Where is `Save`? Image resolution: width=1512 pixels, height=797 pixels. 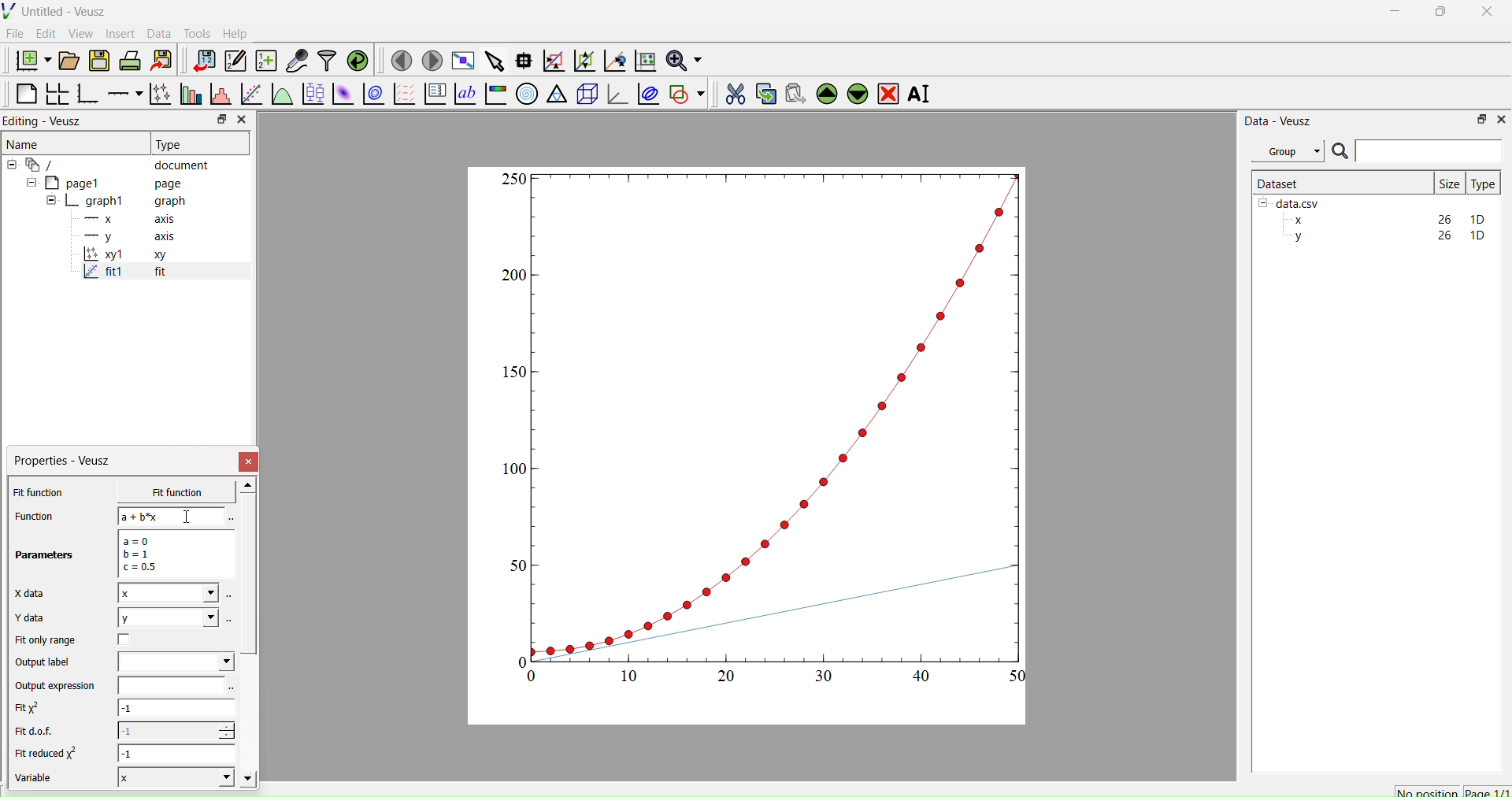
Save is located at coordinates (98, 59).